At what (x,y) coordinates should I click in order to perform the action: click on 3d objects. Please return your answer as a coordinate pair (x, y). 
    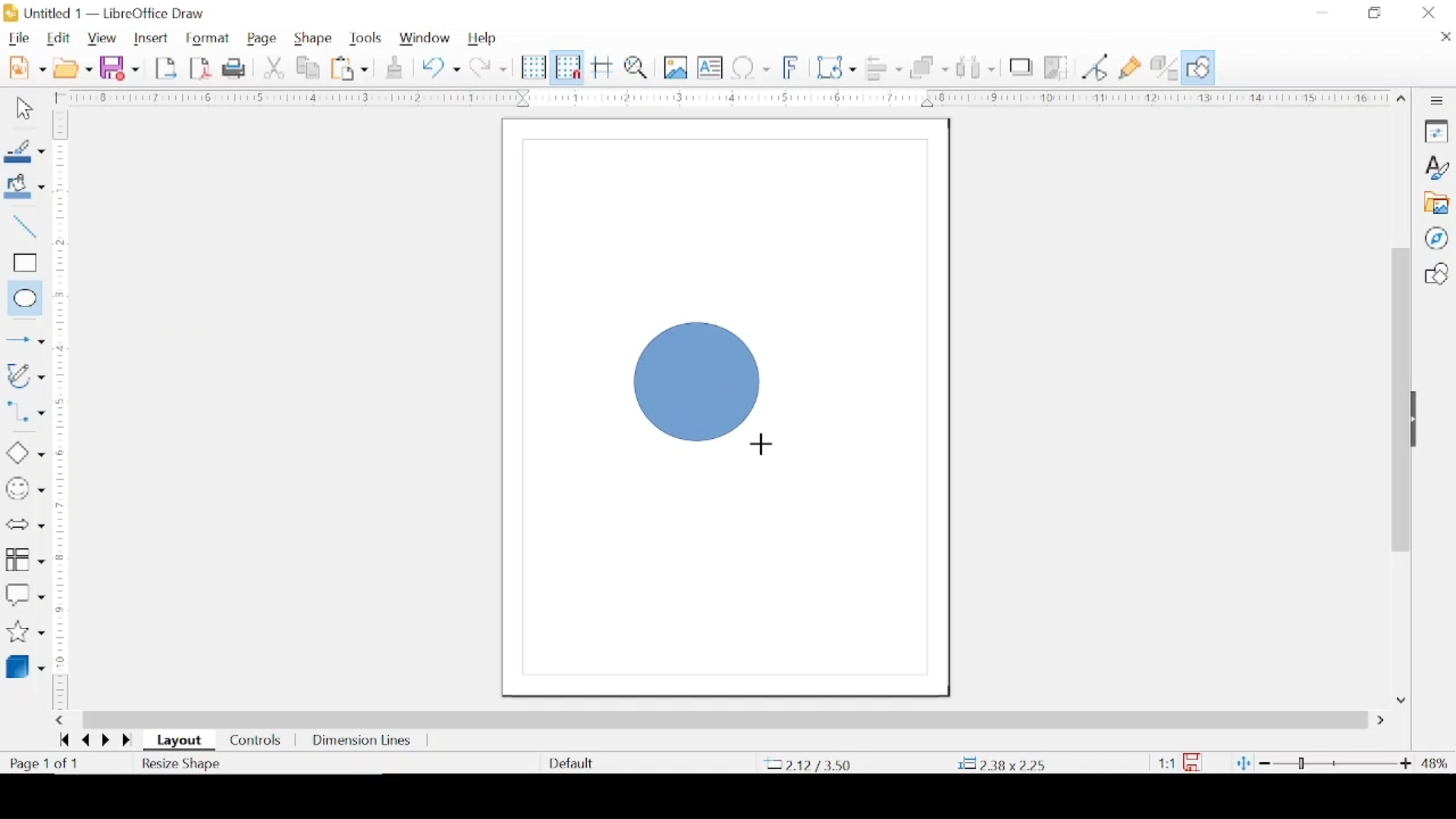
    Looking at the image, I should click on (28, 666).